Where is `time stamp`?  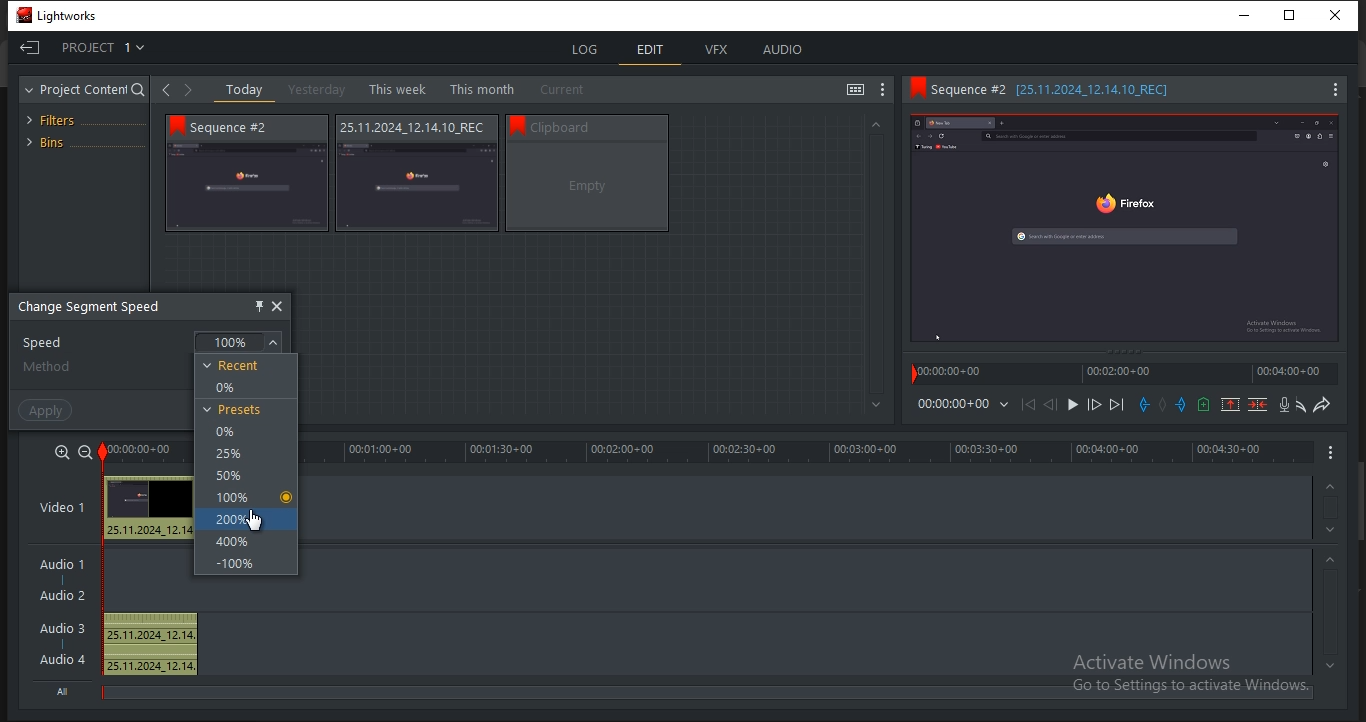
time stamp is located at coordinates (951, 374).